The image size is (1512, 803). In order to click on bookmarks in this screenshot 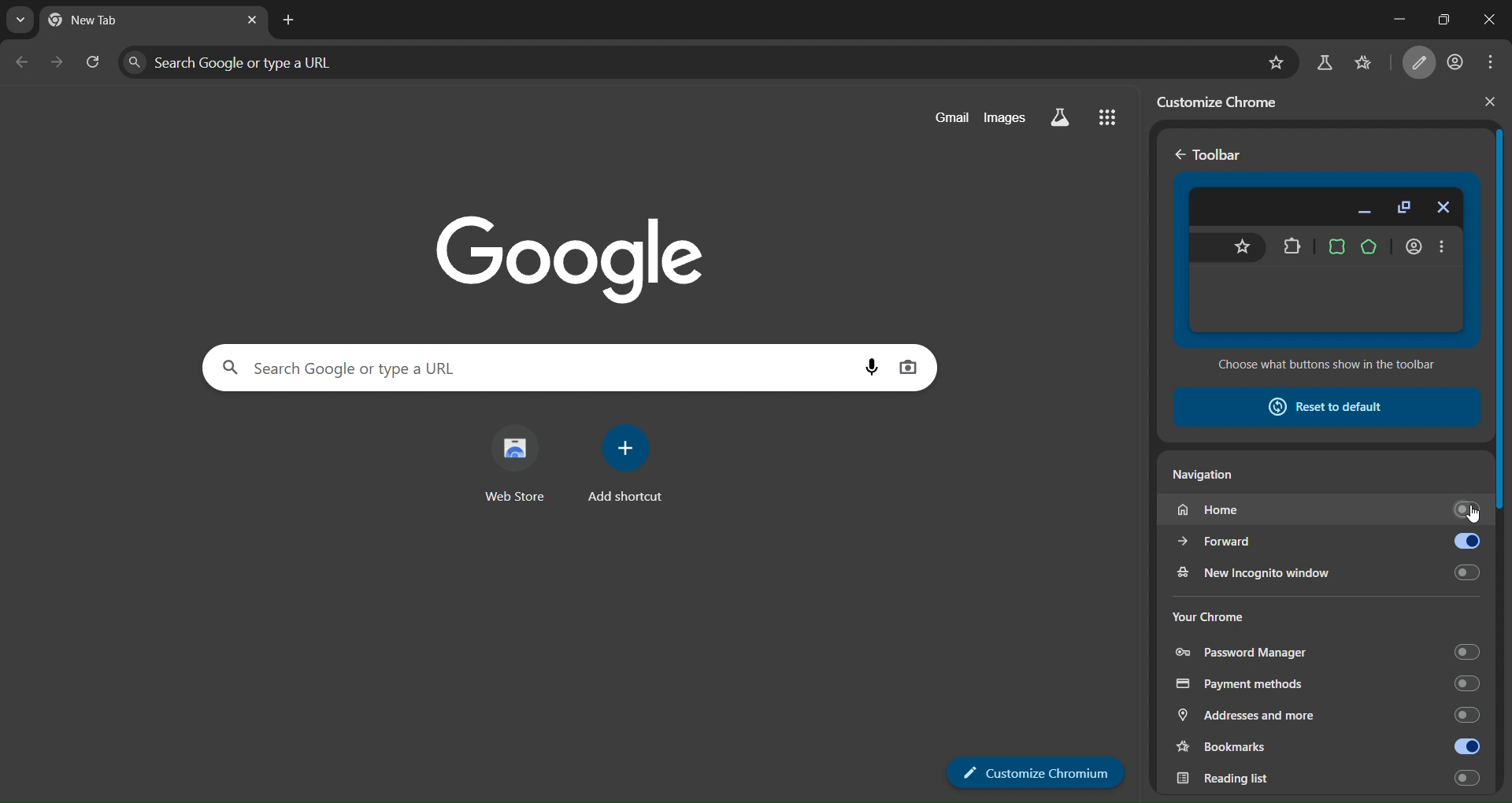, I will do `click(1373, 61)`.